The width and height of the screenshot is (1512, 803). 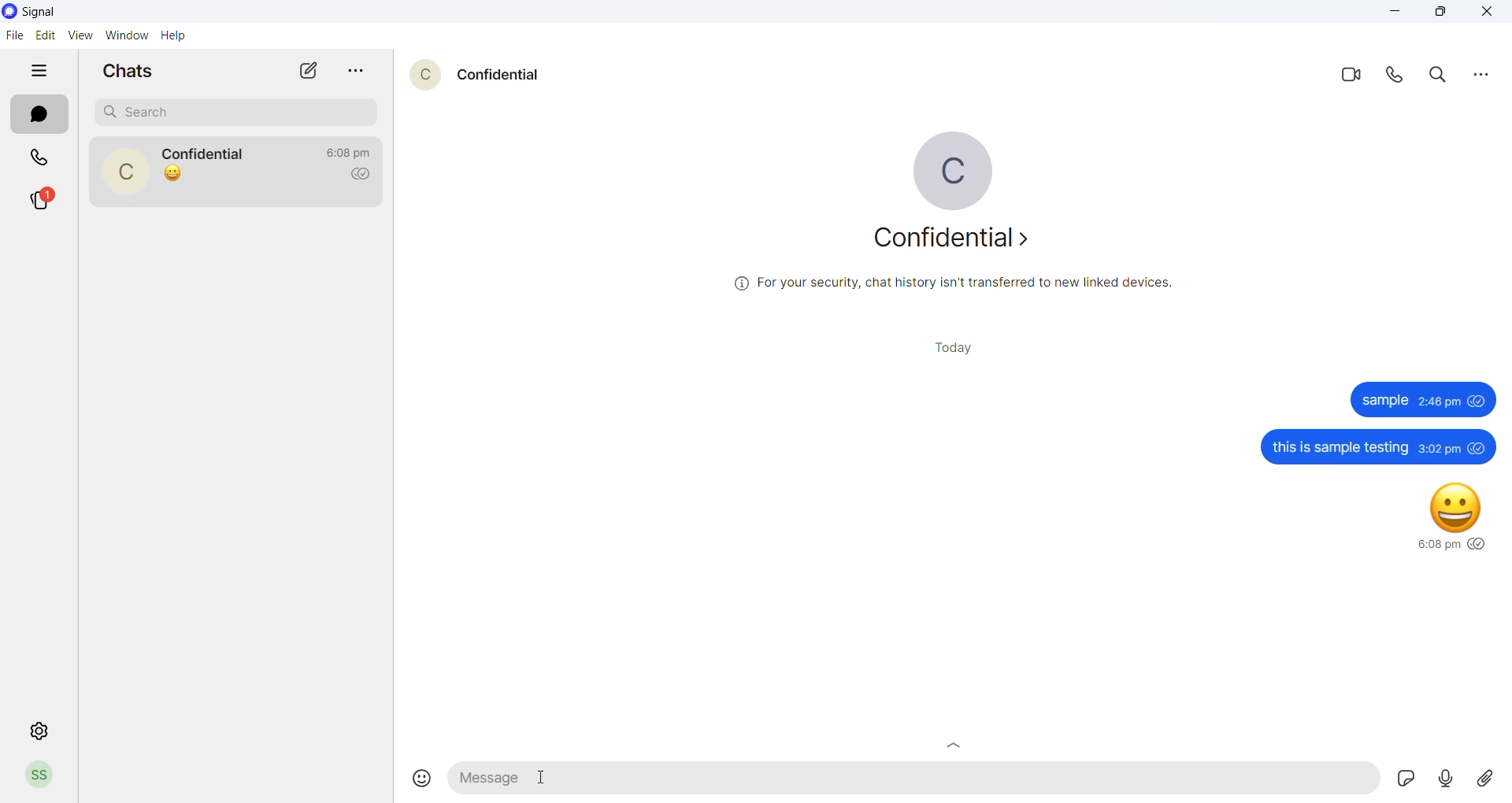 What do you see at coordinates (1401, 80) in the screenshot?
I see `voice call` at bounding box center [1401, 80].